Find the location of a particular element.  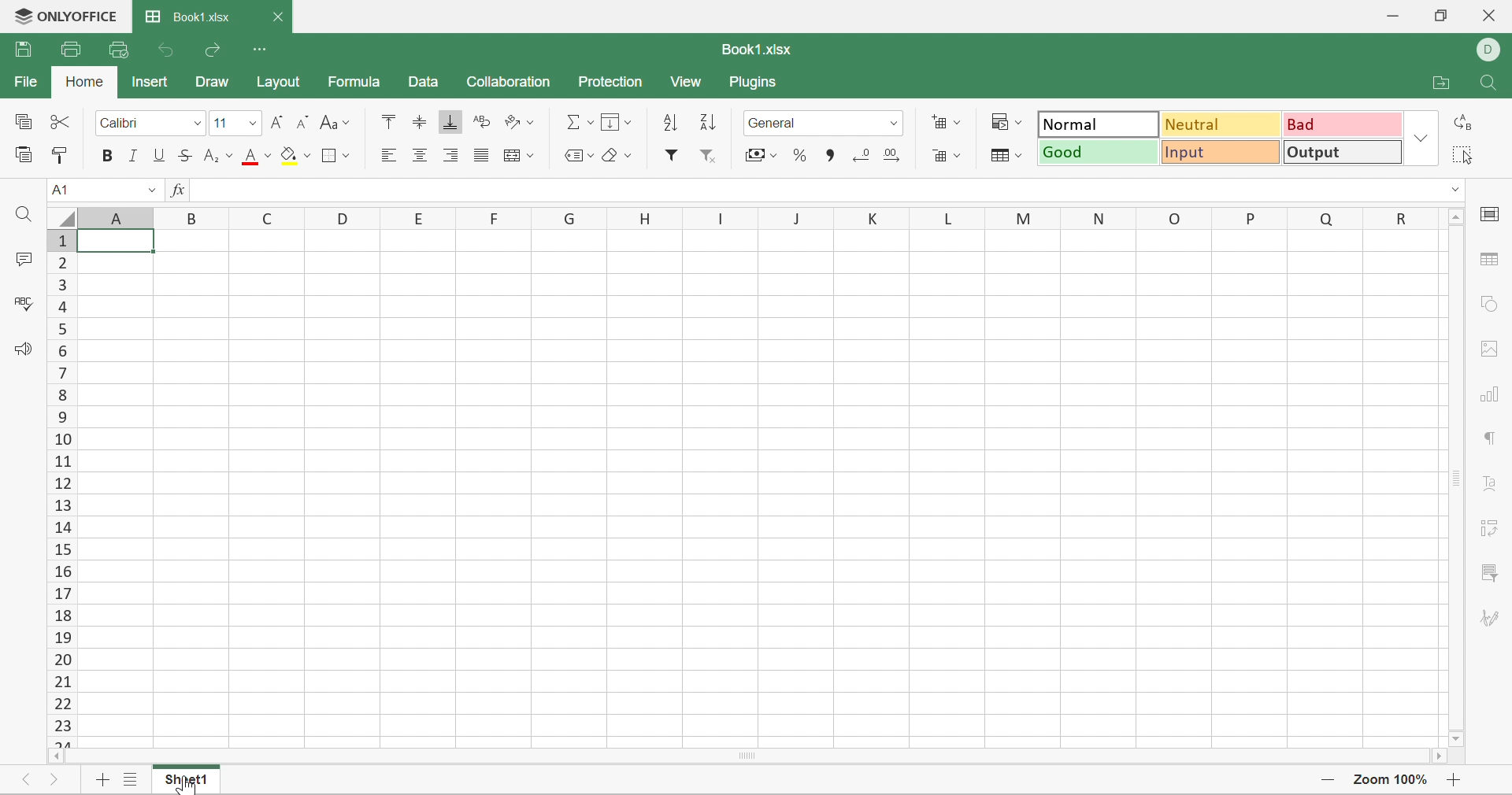

Restore down is located at coordinates (1442, 15).